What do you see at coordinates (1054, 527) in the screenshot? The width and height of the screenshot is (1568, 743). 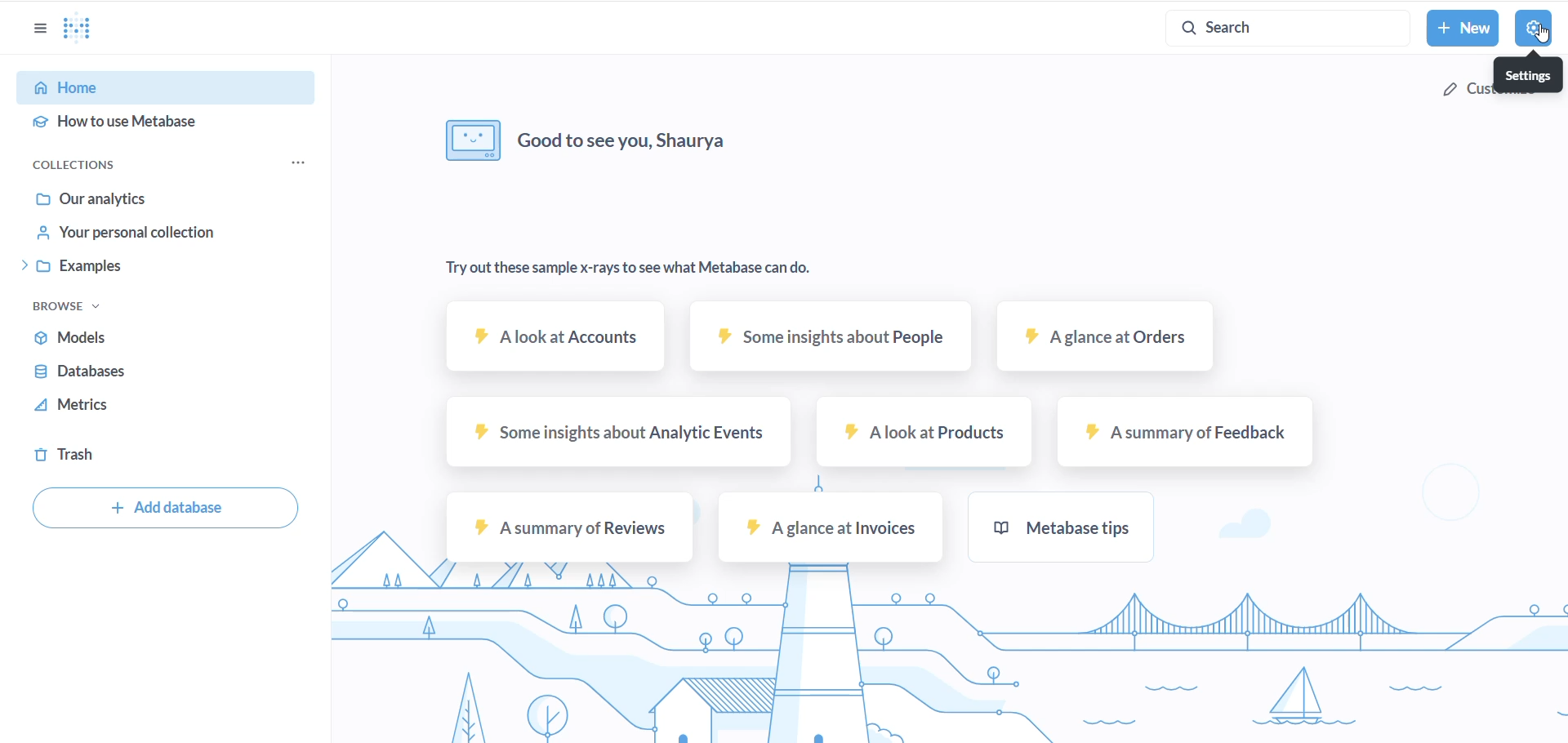 I see `metabase tip sample` at bounding box center [1054, 527].